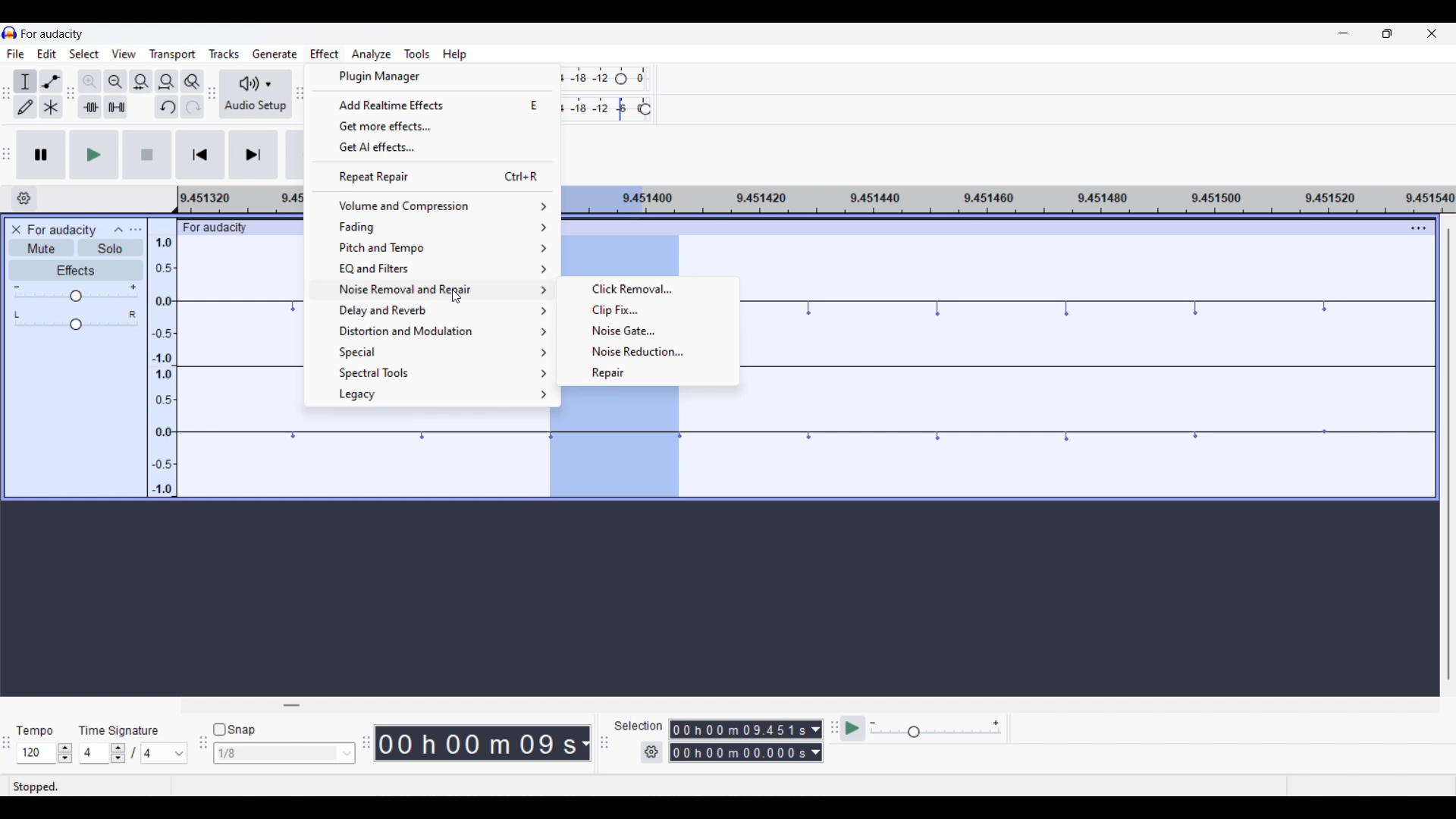 Image resolution: width=1456 pixels, height=819 pixels. Describe the element at coordinates (815, 741) in the screenshot. I see `Selection measurement` at that location.